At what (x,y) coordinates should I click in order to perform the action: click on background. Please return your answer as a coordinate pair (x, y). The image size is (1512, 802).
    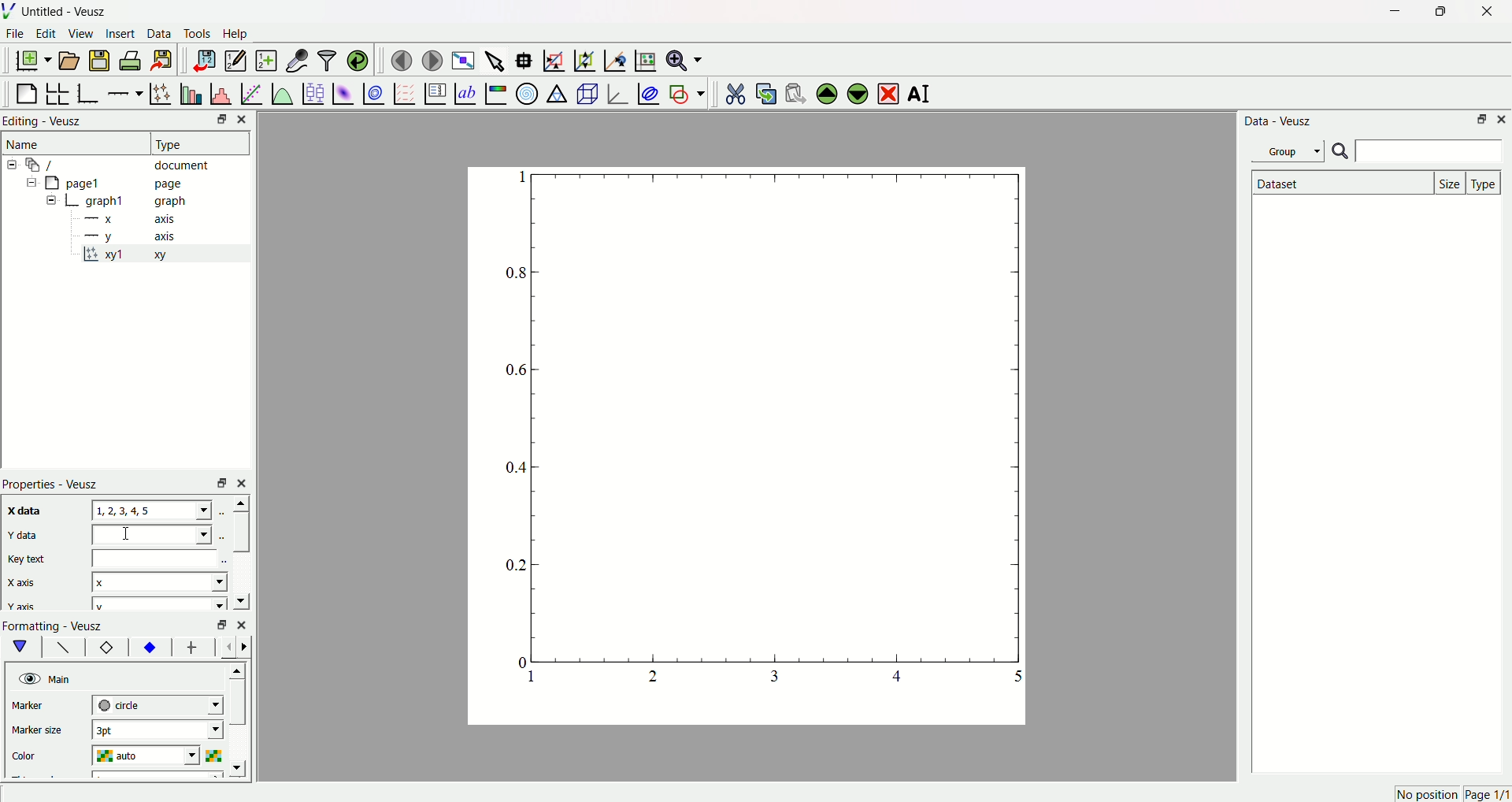
    Looking at the image, I should click on (64, 649).